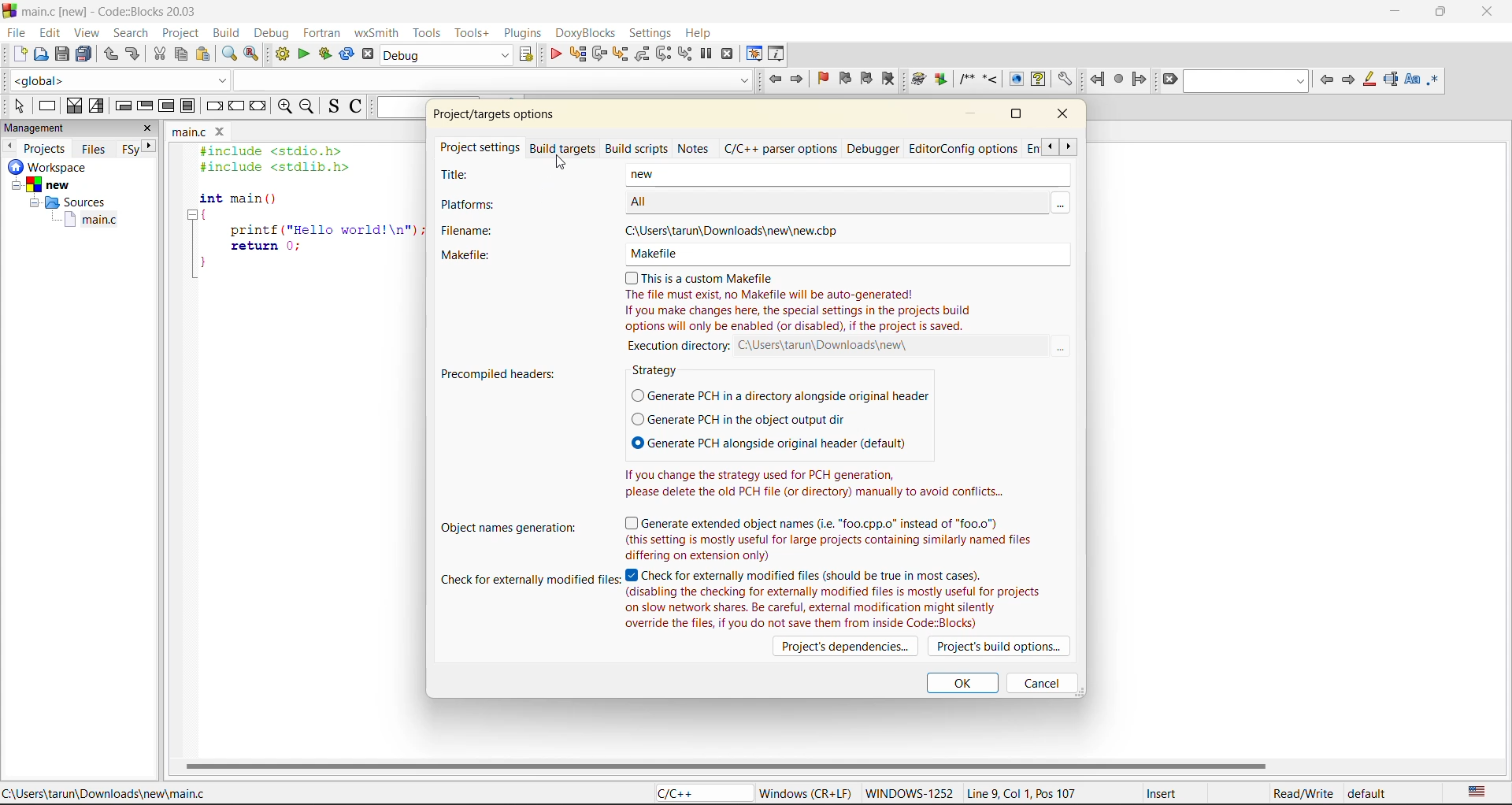  I want to click on replace, so click(254, 54).